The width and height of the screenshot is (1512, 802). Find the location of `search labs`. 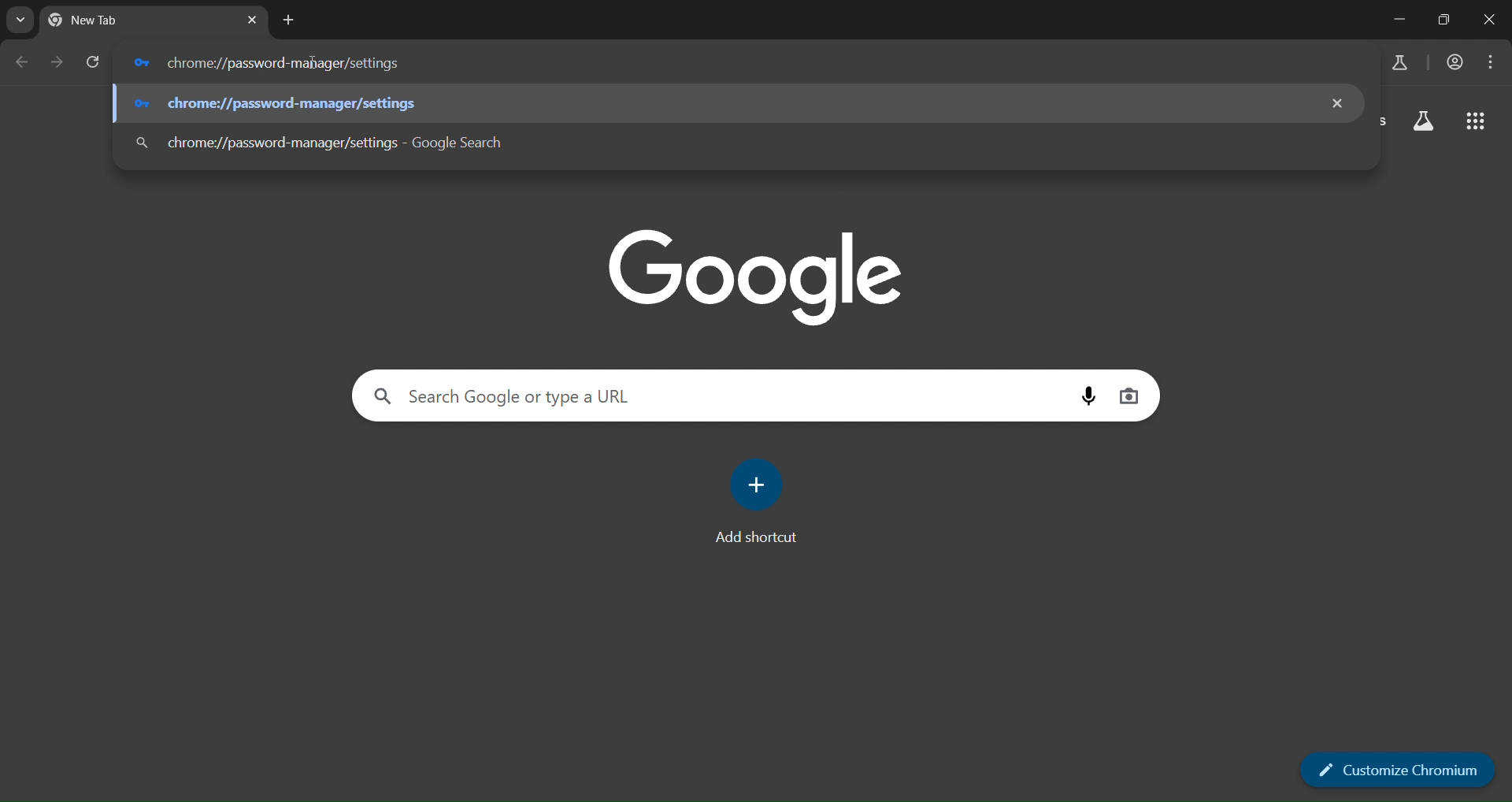

search labs is located at coordinates (1405, 64).